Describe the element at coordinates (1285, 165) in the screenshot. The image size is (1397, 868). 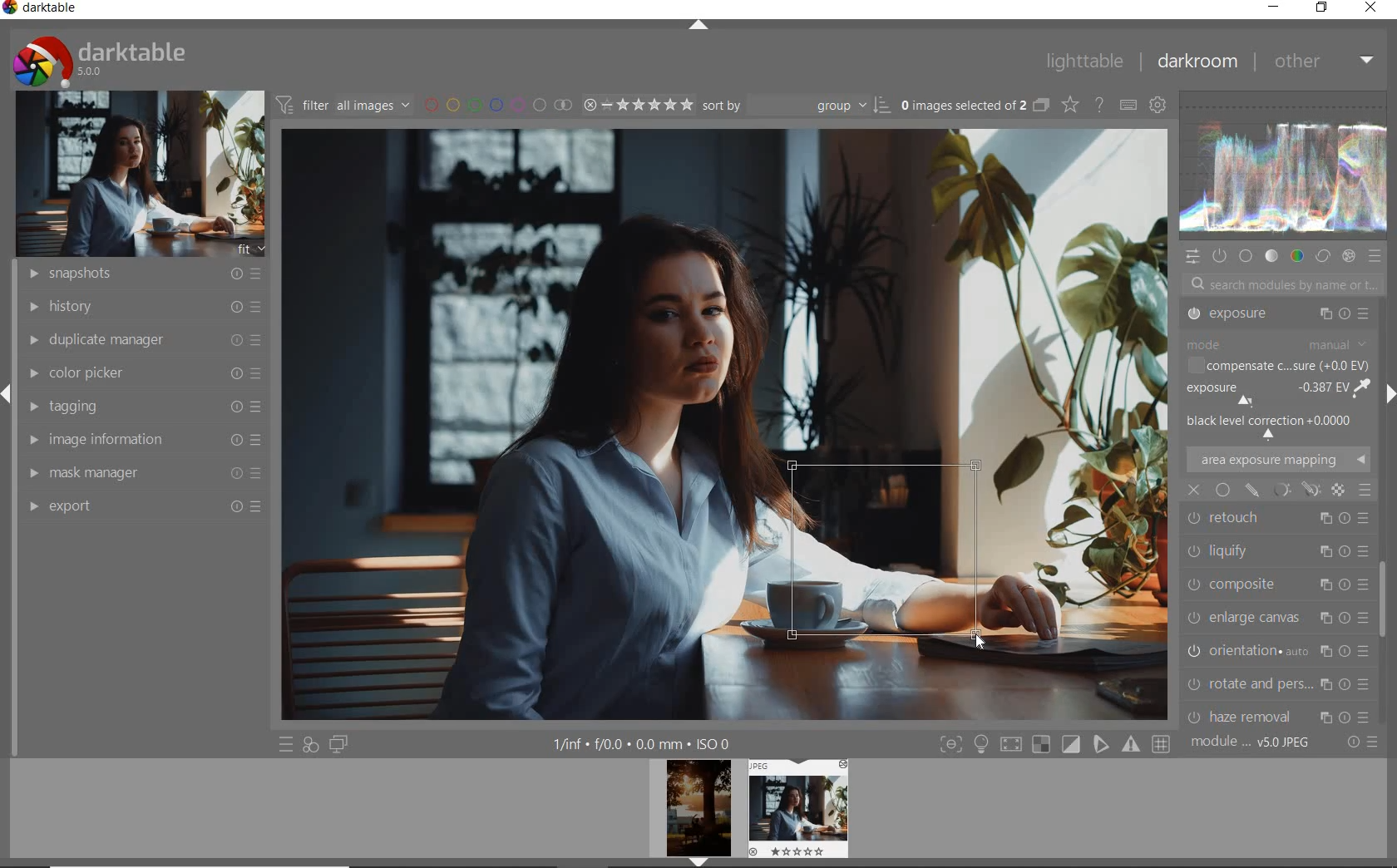
I see `WAVEFORM` at that location.